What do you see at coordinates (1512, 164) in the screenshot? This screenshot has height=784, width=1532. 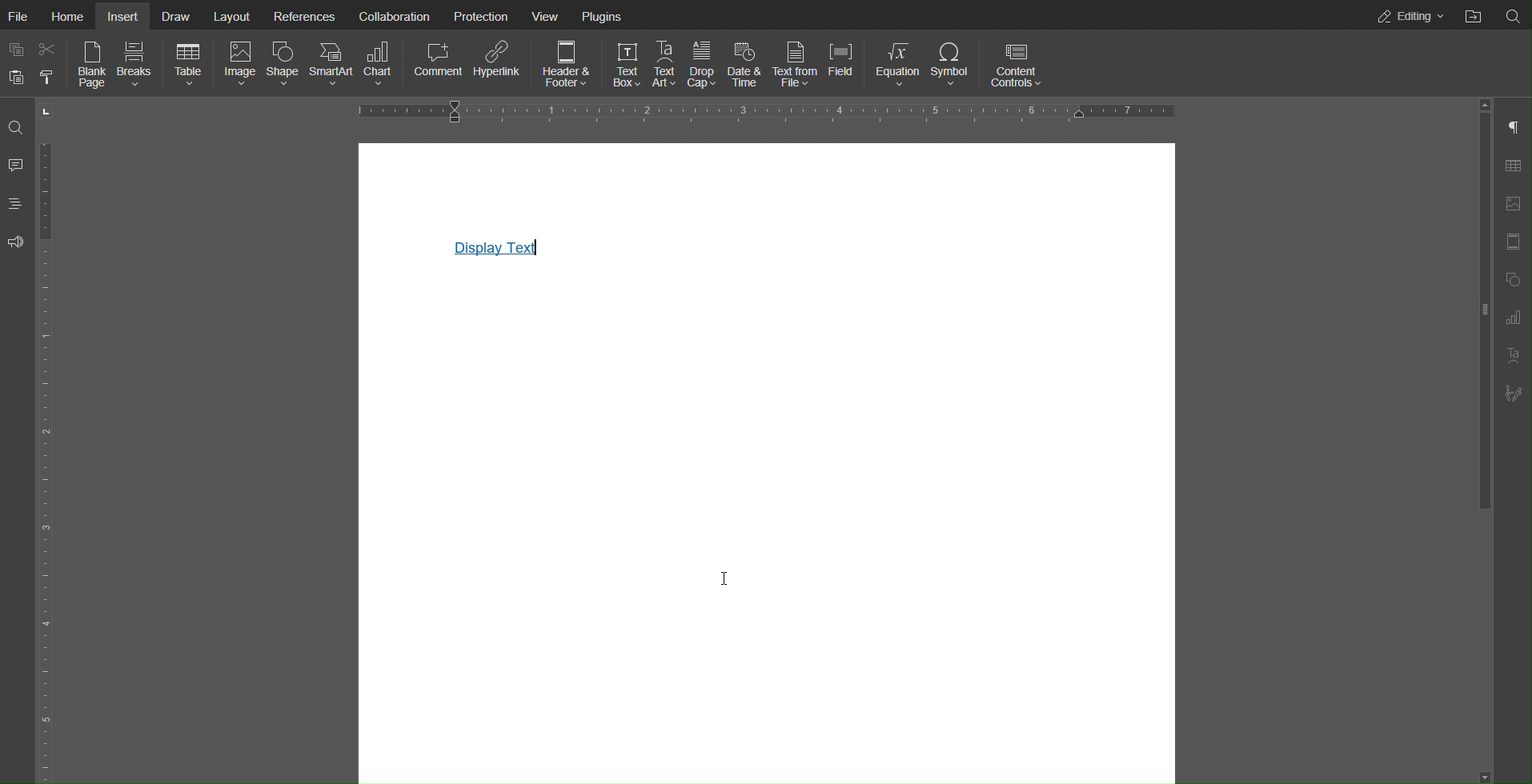 I see `Table Settings` at bounding box center [1512, 164].